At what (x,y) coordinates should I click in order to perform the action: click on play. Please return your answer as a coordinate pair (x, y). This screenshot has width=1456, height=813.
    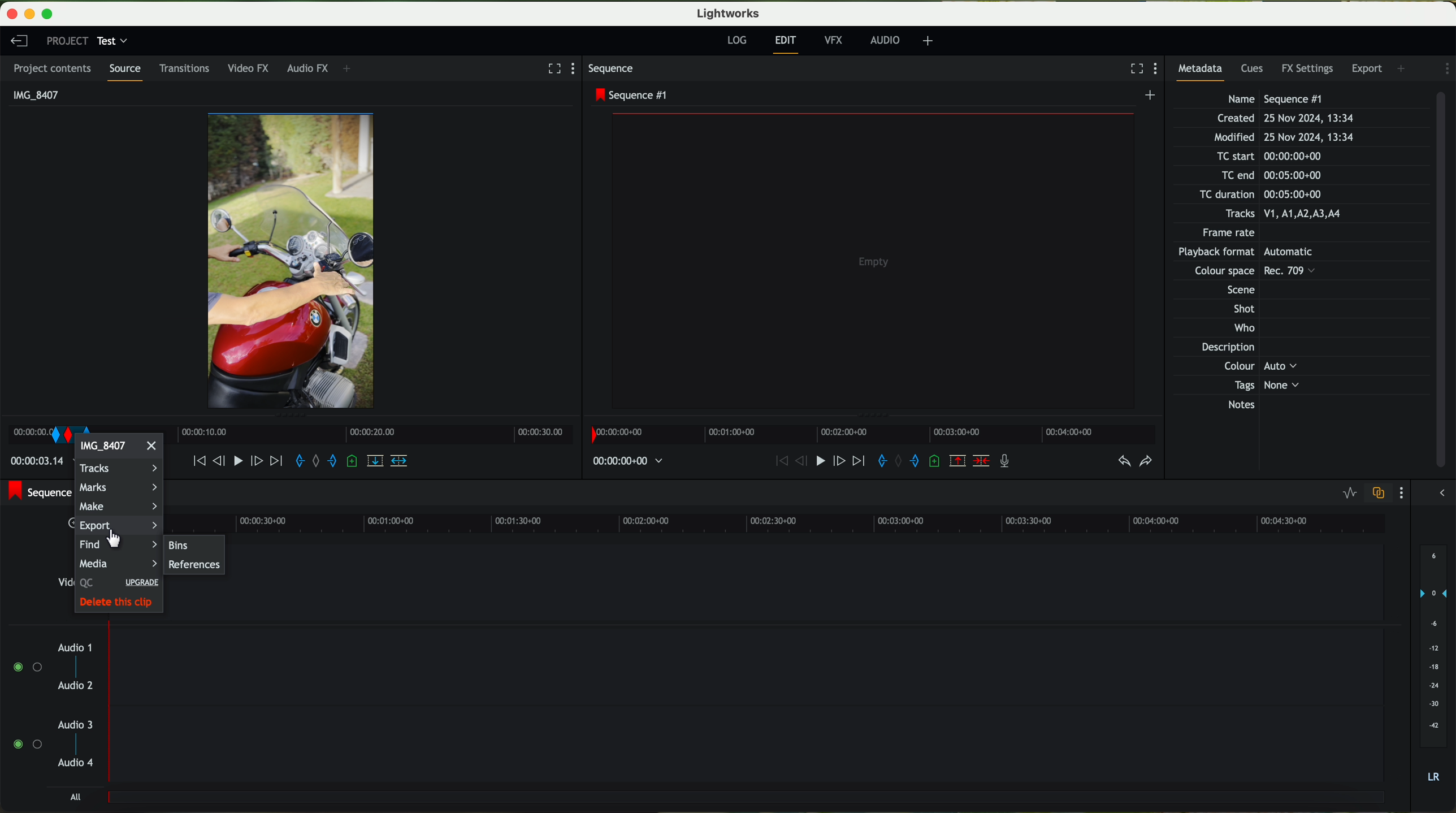
    Looking at the image, I should click on (814, 462).